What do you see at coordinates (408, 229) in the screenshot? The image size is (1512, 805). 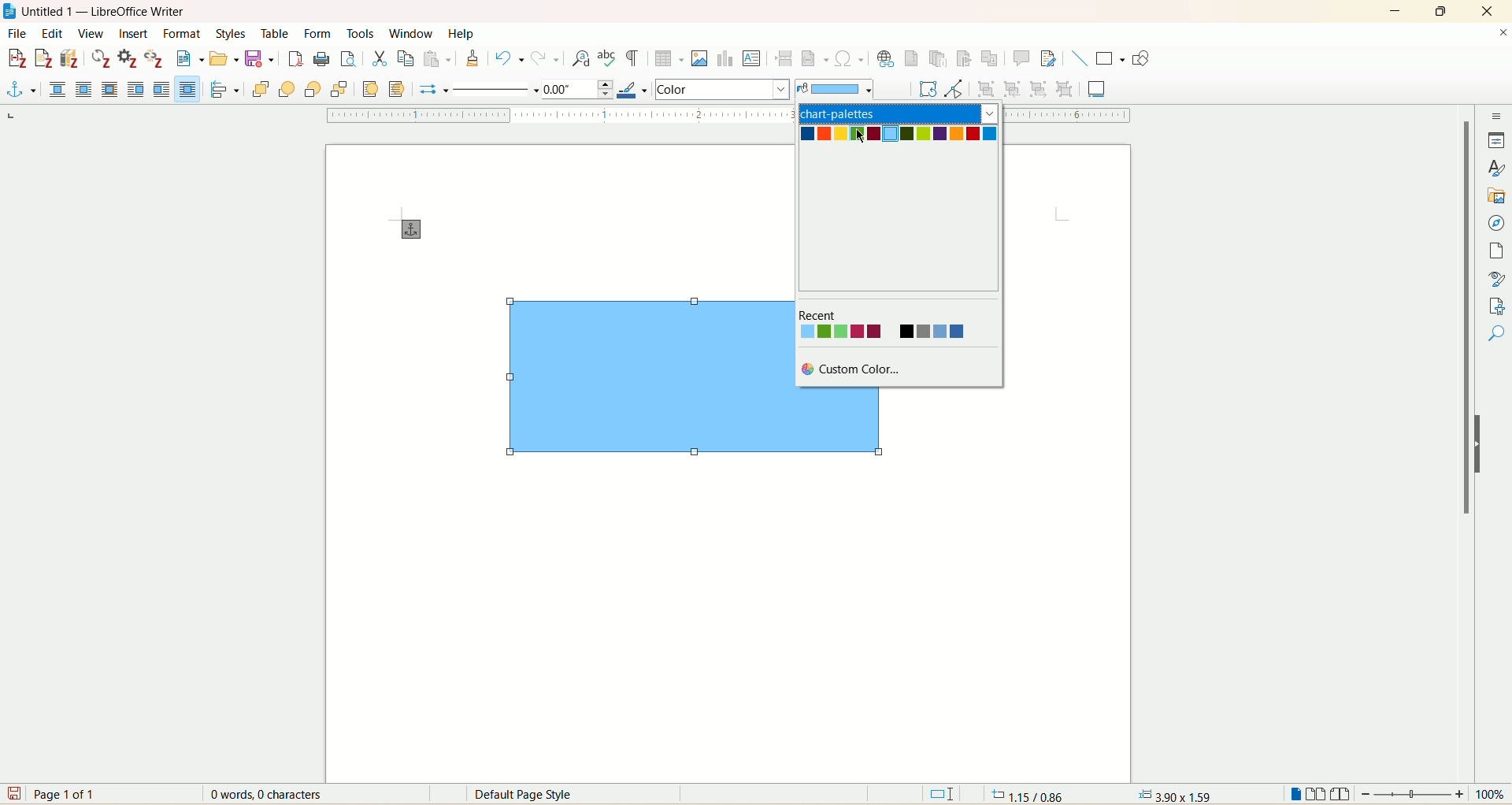 I see `anchor` at bounding box center [408, 229].